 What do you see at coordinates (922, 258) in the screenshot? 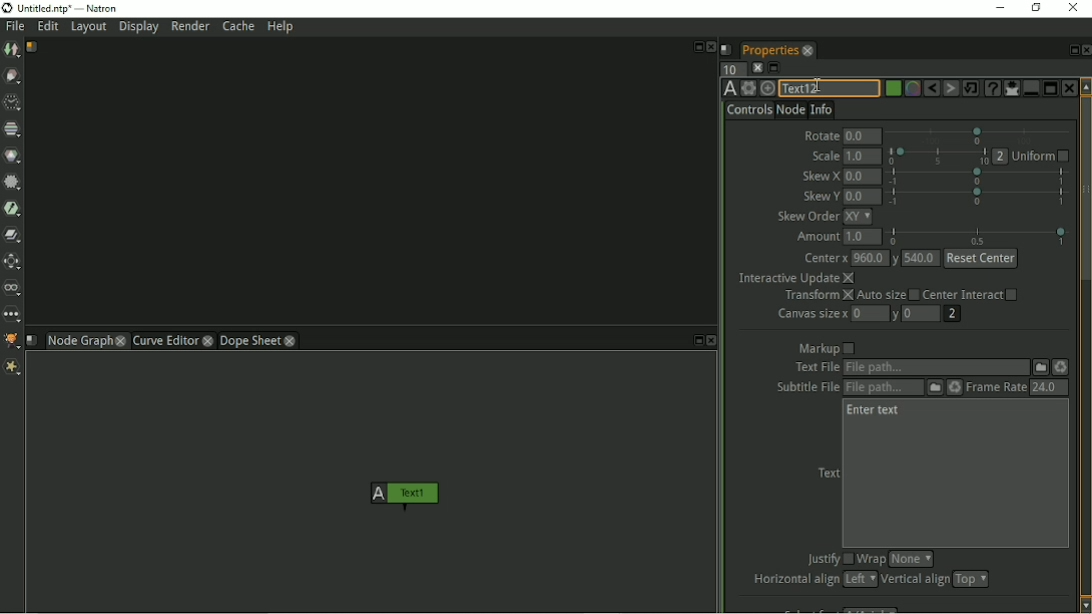
I see `540` at bounding box center [922, 258].